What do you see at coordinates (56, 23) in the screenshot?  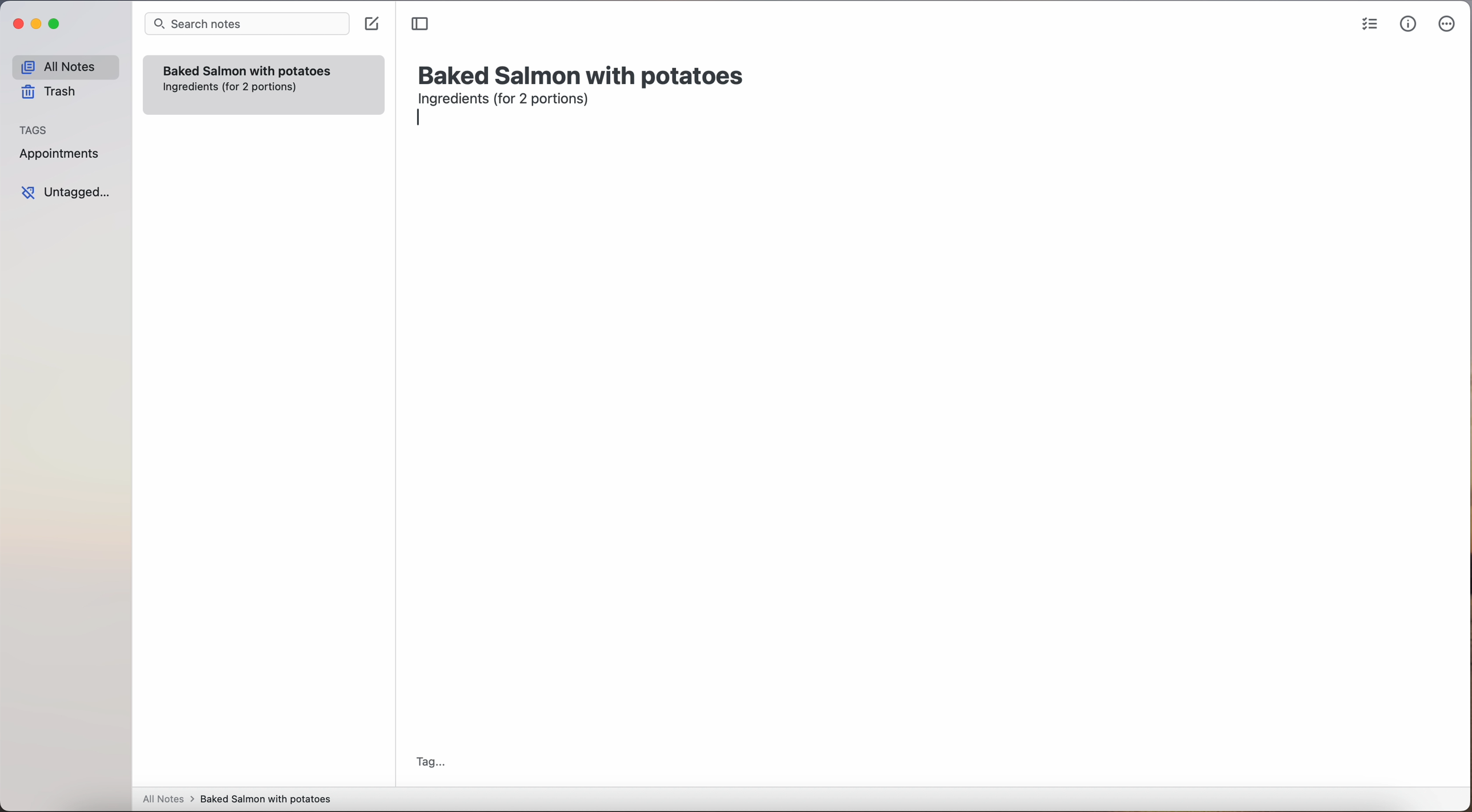 I see `maximize` at bounding box center [56, 23].